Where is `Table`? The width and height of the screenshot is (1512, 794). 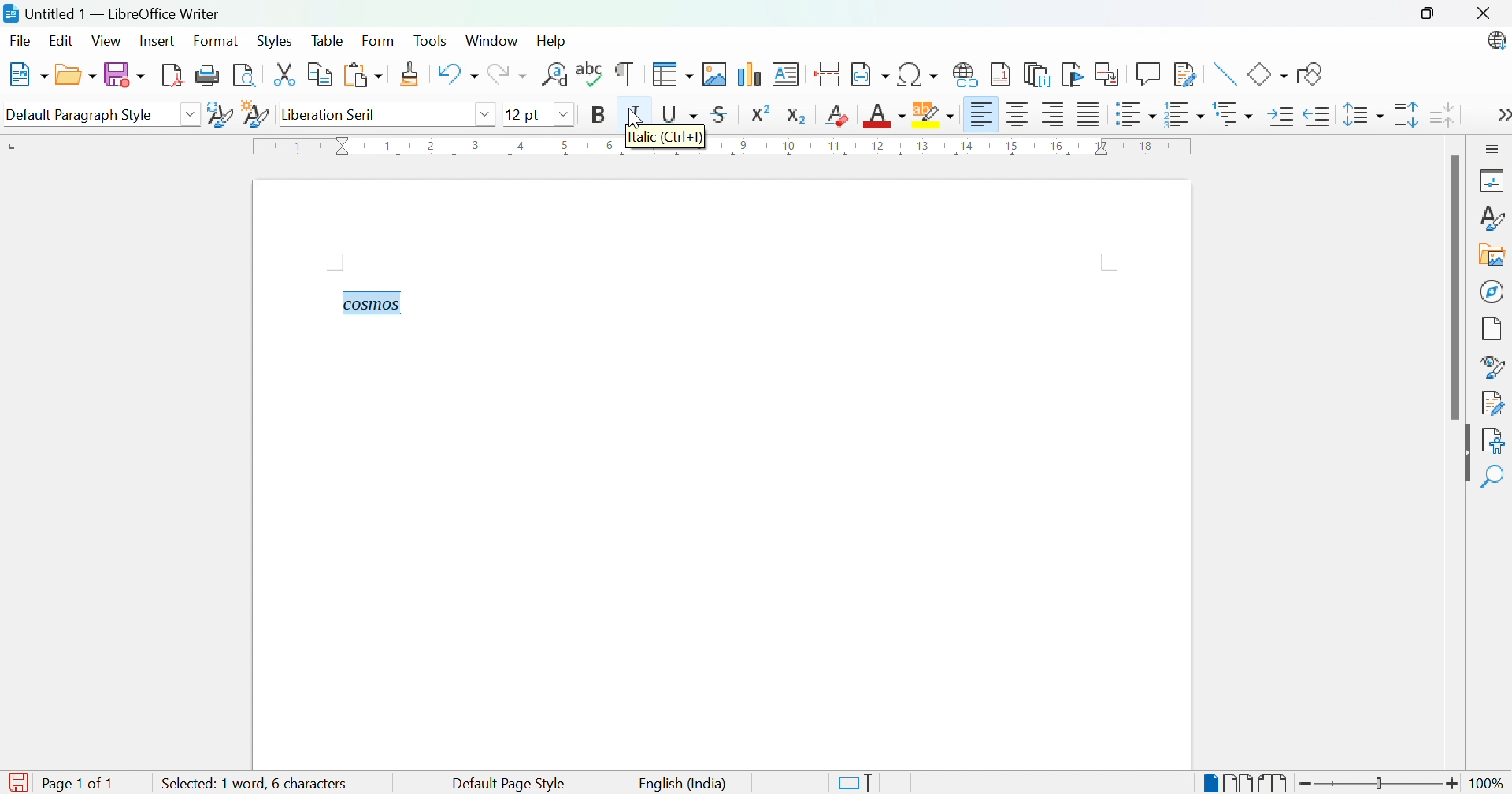
Table is located at coordinates (330, 41).